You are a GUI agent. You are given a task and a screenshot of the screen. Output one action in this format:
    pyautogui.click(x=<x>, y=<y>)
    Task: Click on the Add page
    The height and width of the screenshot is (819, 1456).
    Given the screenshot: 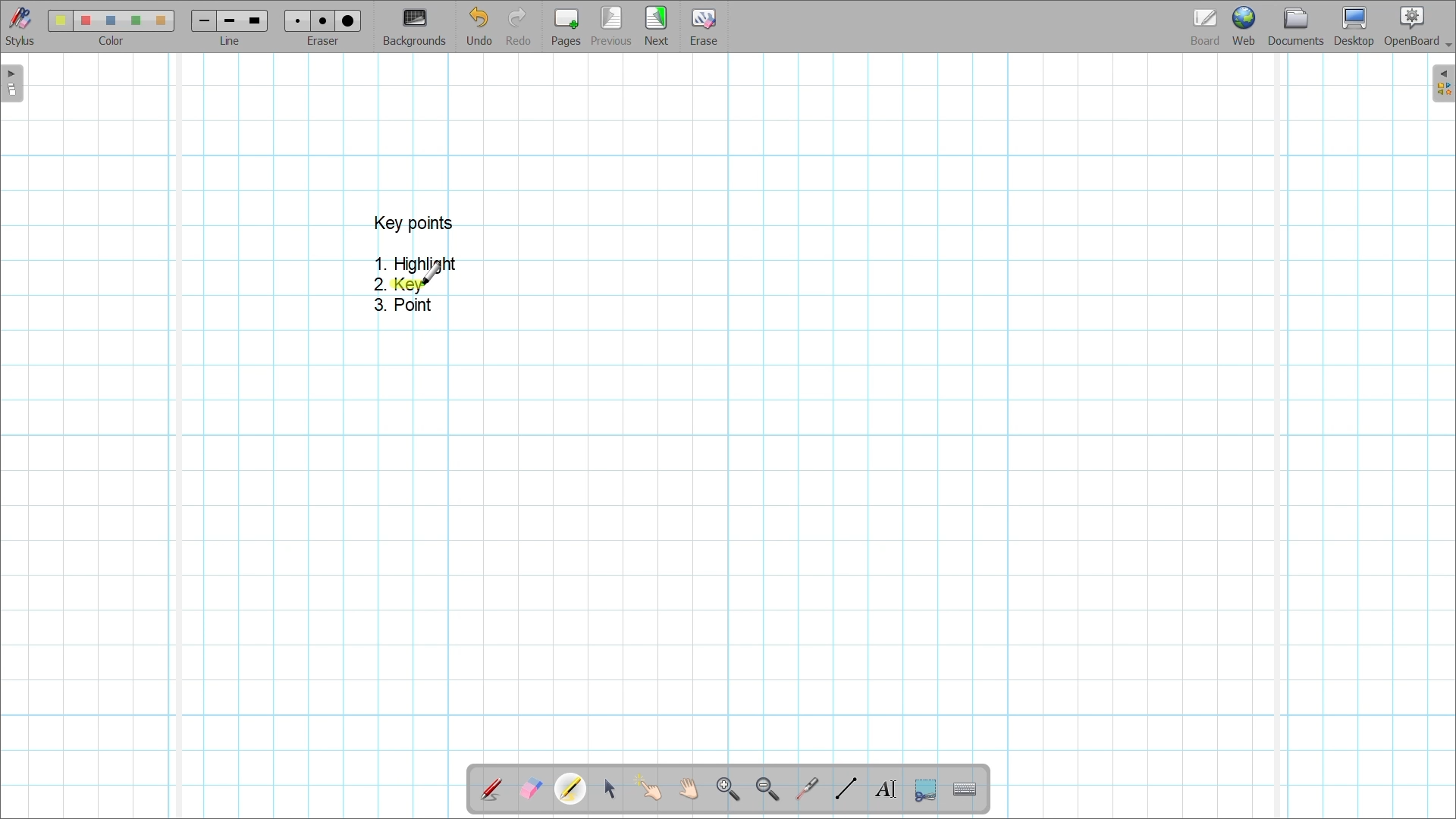 What is the action you would take?
    pyautogui.click(x=566, y=27)
    